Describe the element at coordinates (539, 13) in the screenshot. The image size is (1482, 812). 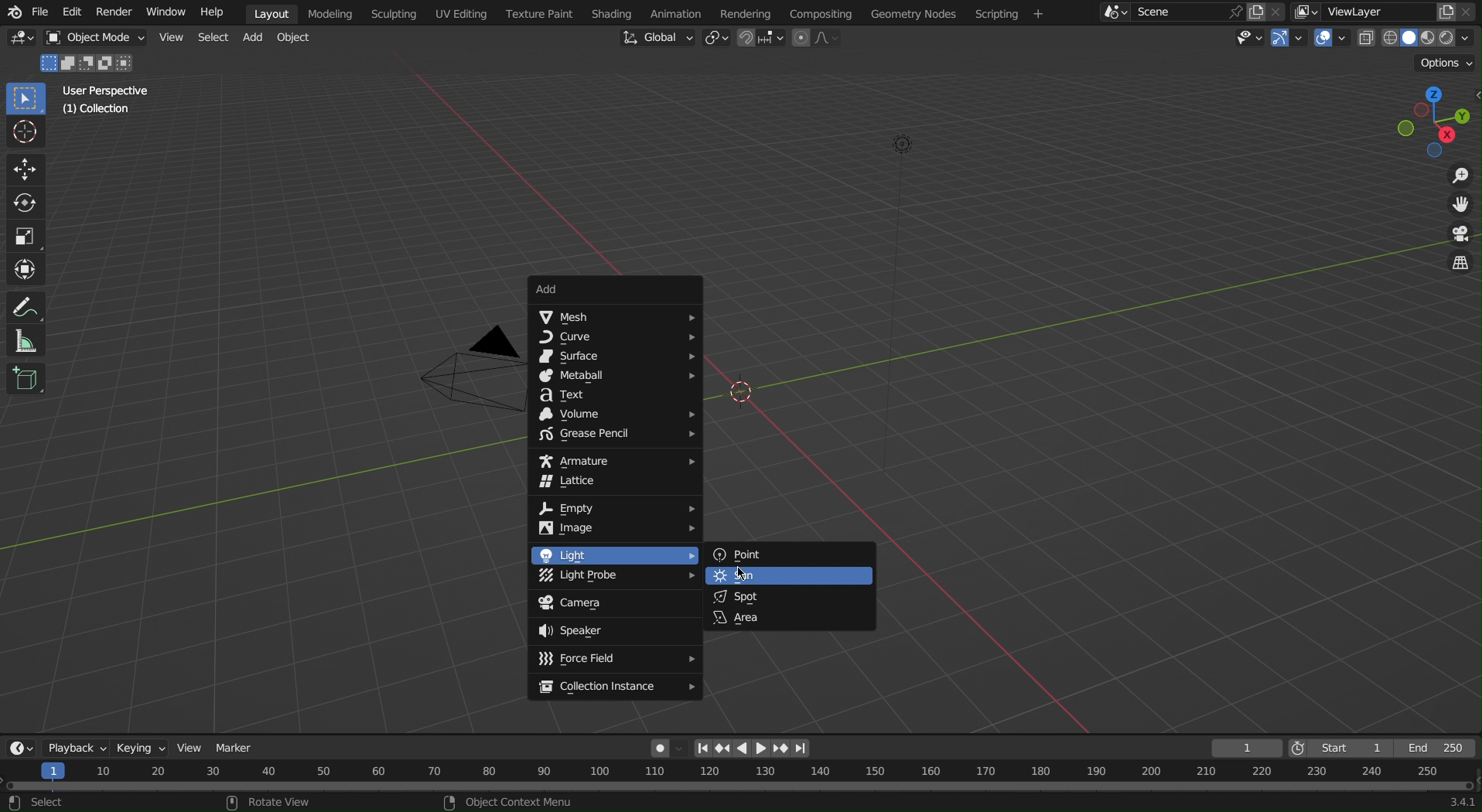
I see `Texture Paint` at that location.